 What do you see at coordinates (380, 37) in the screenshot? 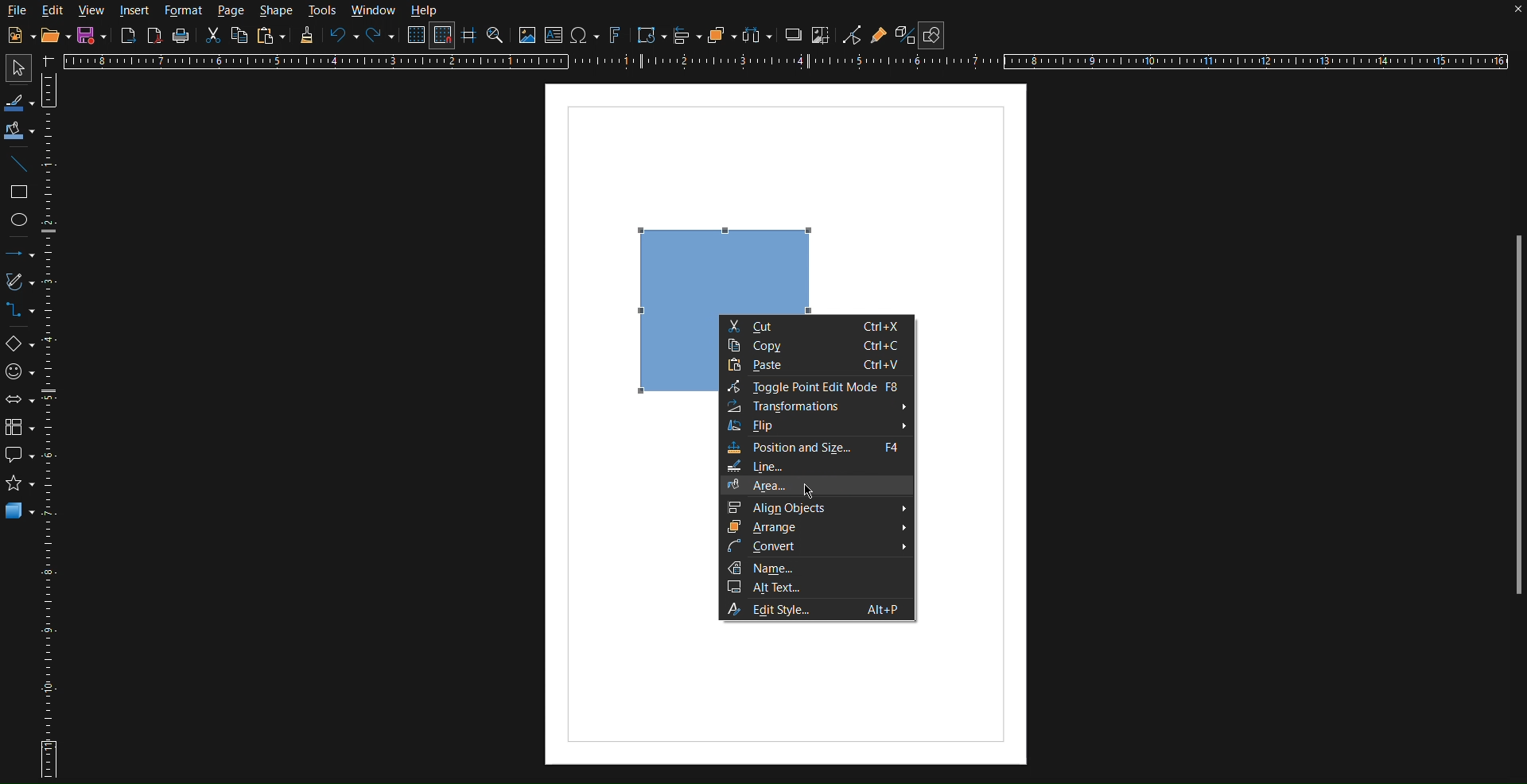
I see `Redo` at bounding box center [380, 37].